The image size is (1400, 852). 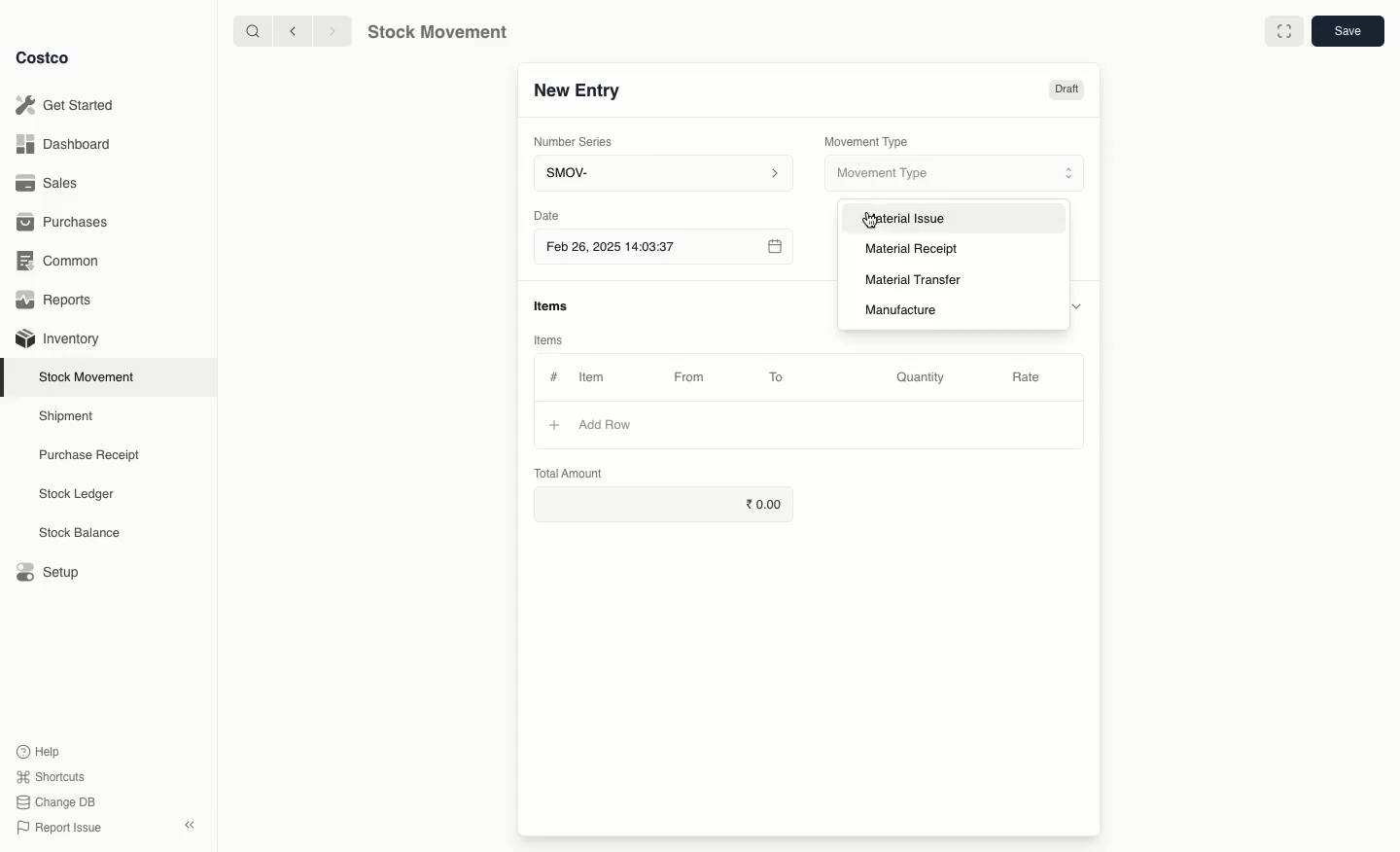 What do you see at coordinates (608, 422) in the screenshot?
I see `Add Row` at bounding box center [608, 422].